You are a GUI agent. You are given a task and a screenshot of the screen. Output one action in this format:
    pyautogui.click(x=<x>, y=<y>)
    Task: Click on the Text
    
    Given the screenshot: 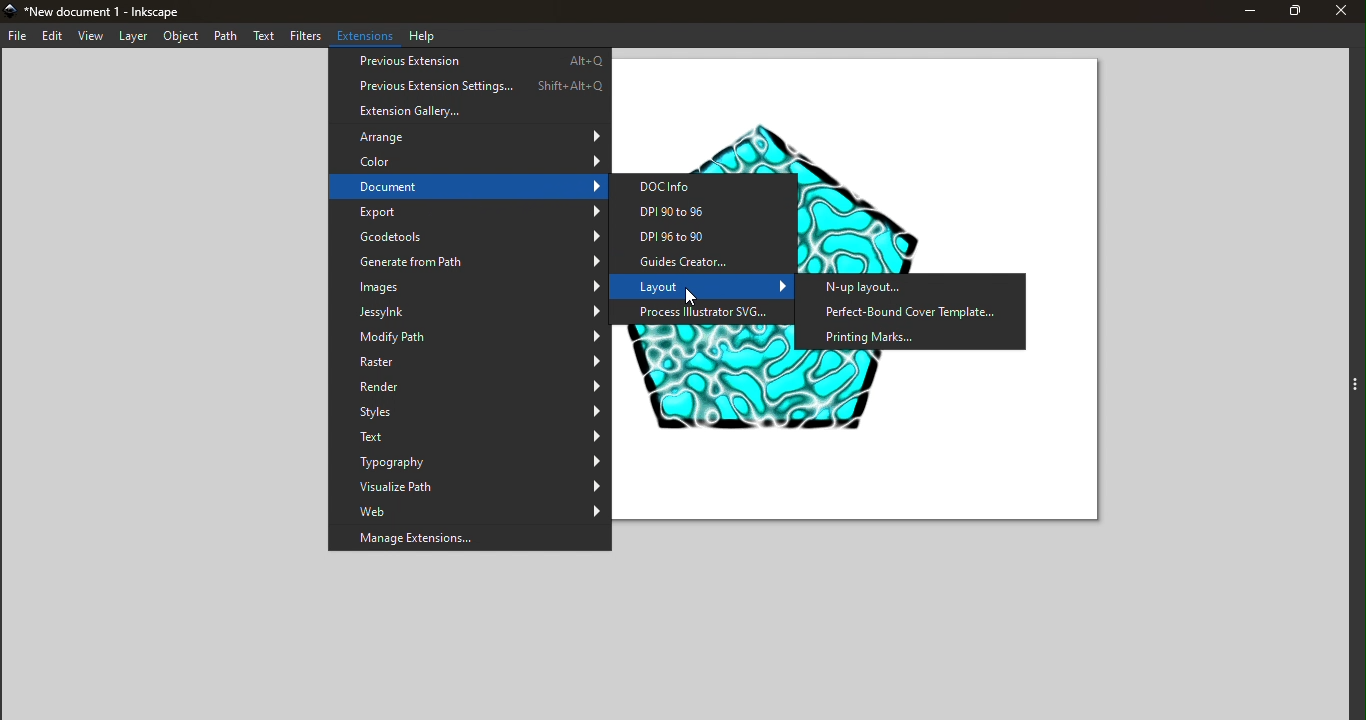 What is the action you would take?
    pyautogui.click(x=265, y=37)
    